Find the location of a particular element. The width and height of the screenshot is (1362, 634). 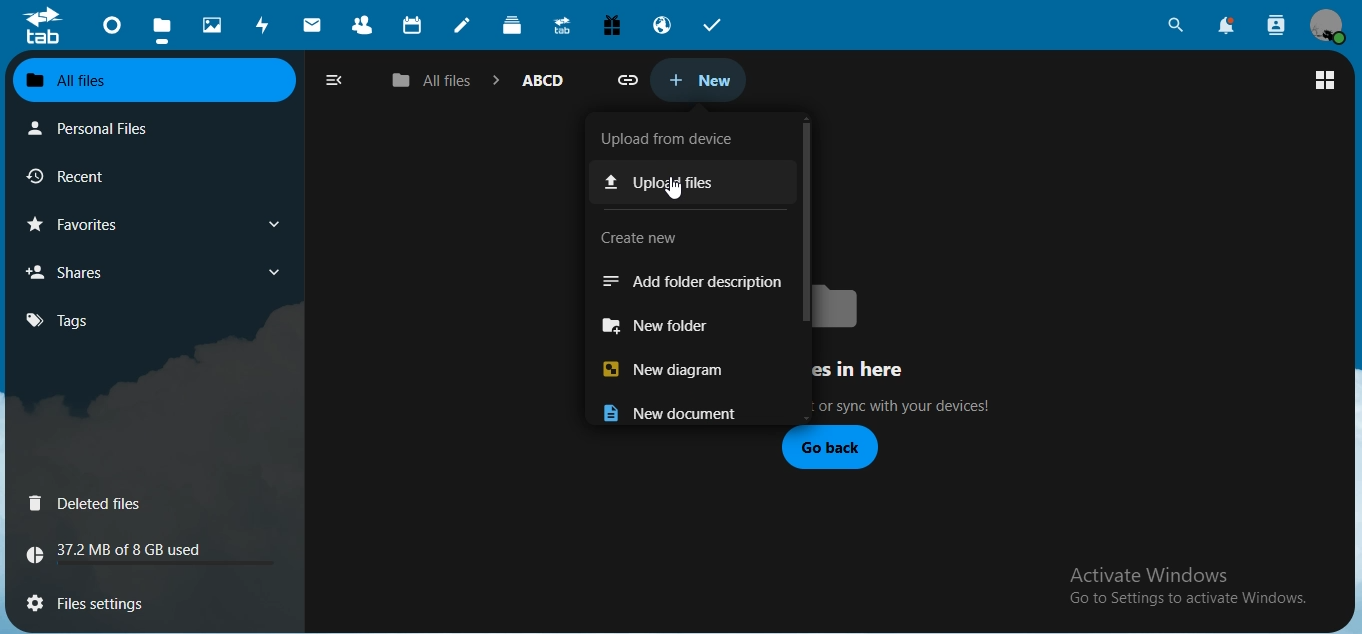

free trial is located at coordinates (614, 24).